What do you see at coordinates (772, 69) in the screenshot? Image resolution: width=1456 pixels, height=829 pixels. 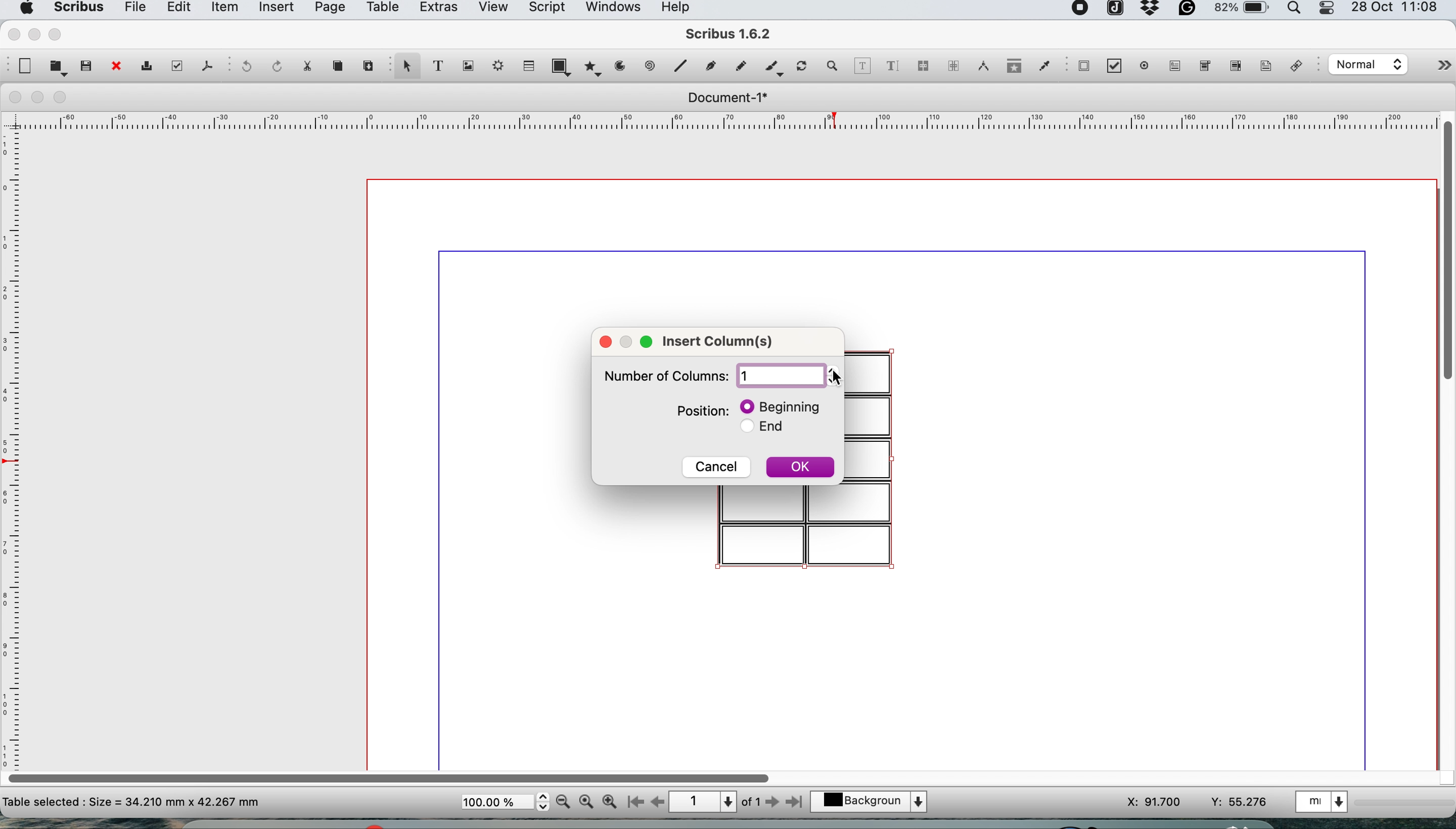 I see `calligraphic line` at bounding box center [772, 69].